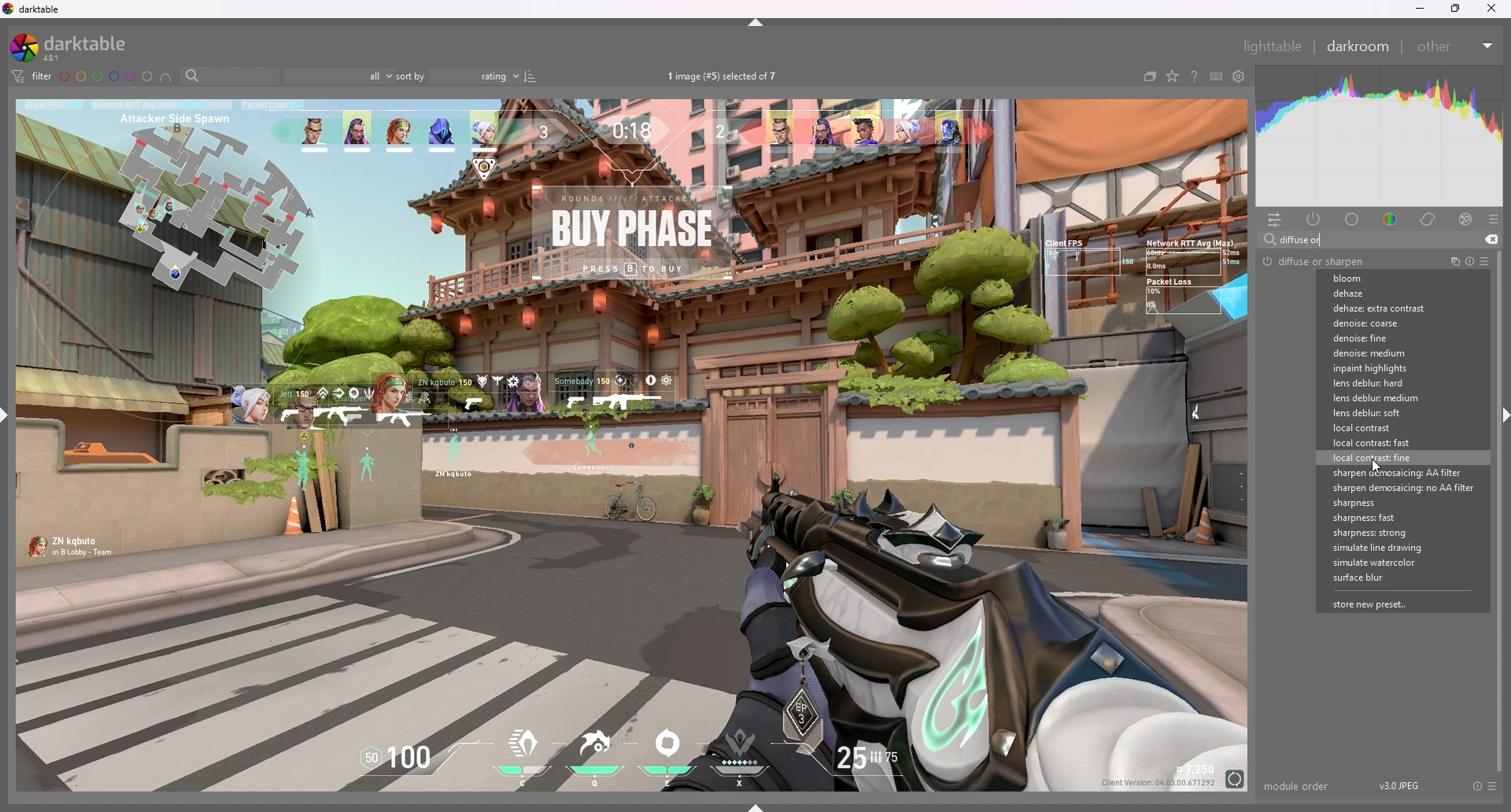 This screenshot has width=1511, height=812. I want to click on include color label, so click(166, 77).